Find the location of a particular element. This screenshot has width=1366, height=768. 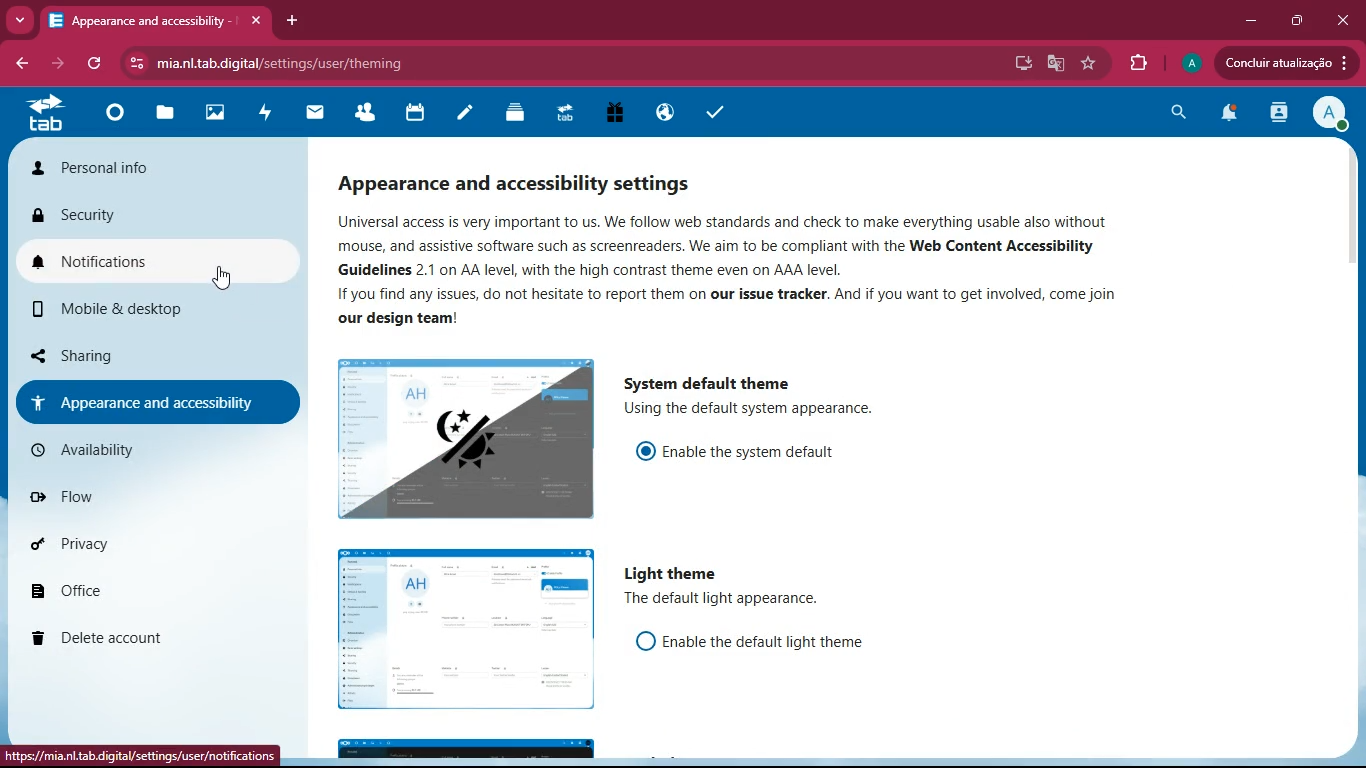

tasks is located at coordinates (717, 111).